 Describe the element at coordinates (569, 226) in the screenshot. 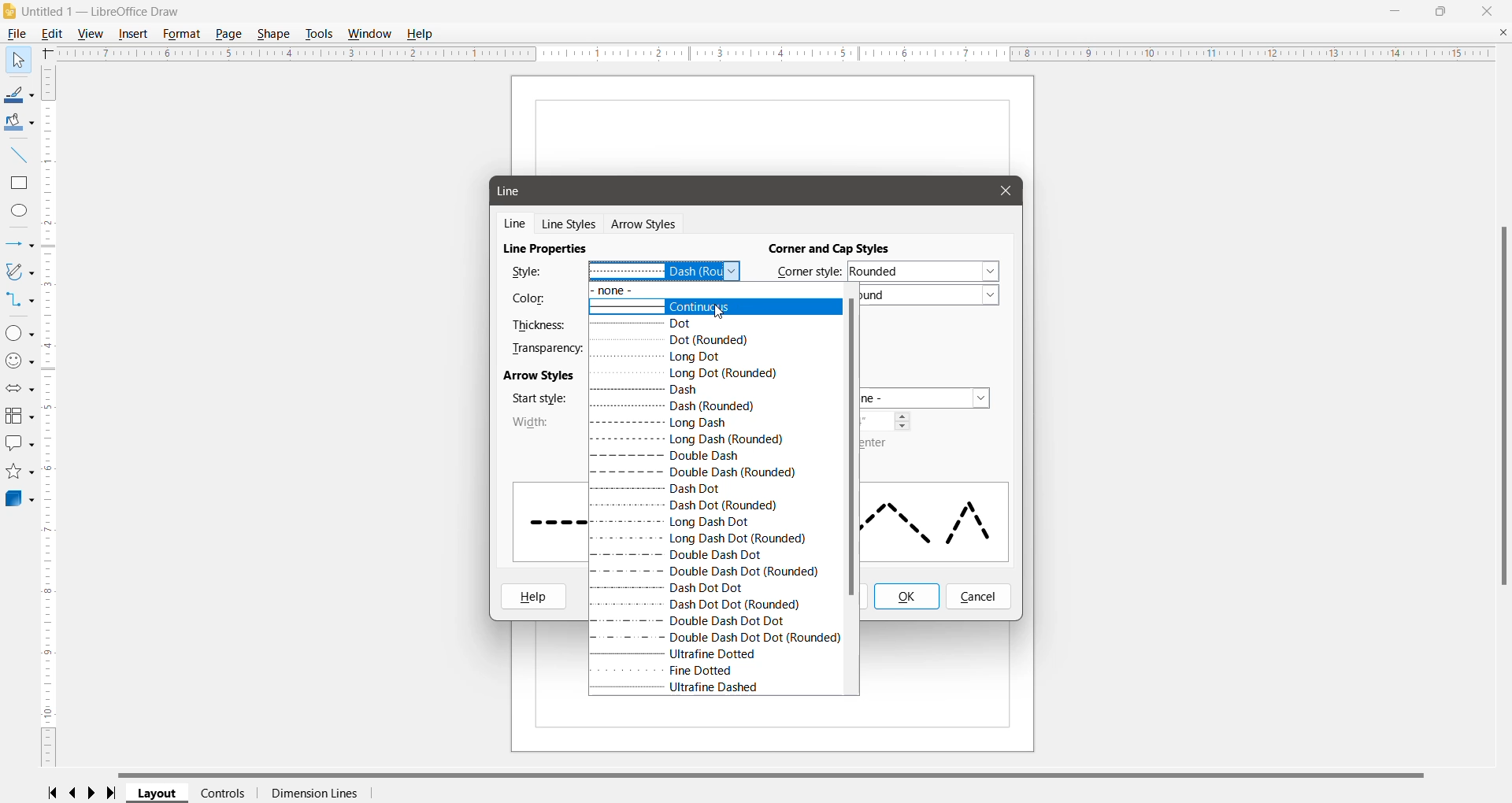

I see `Line Styles` at that location.